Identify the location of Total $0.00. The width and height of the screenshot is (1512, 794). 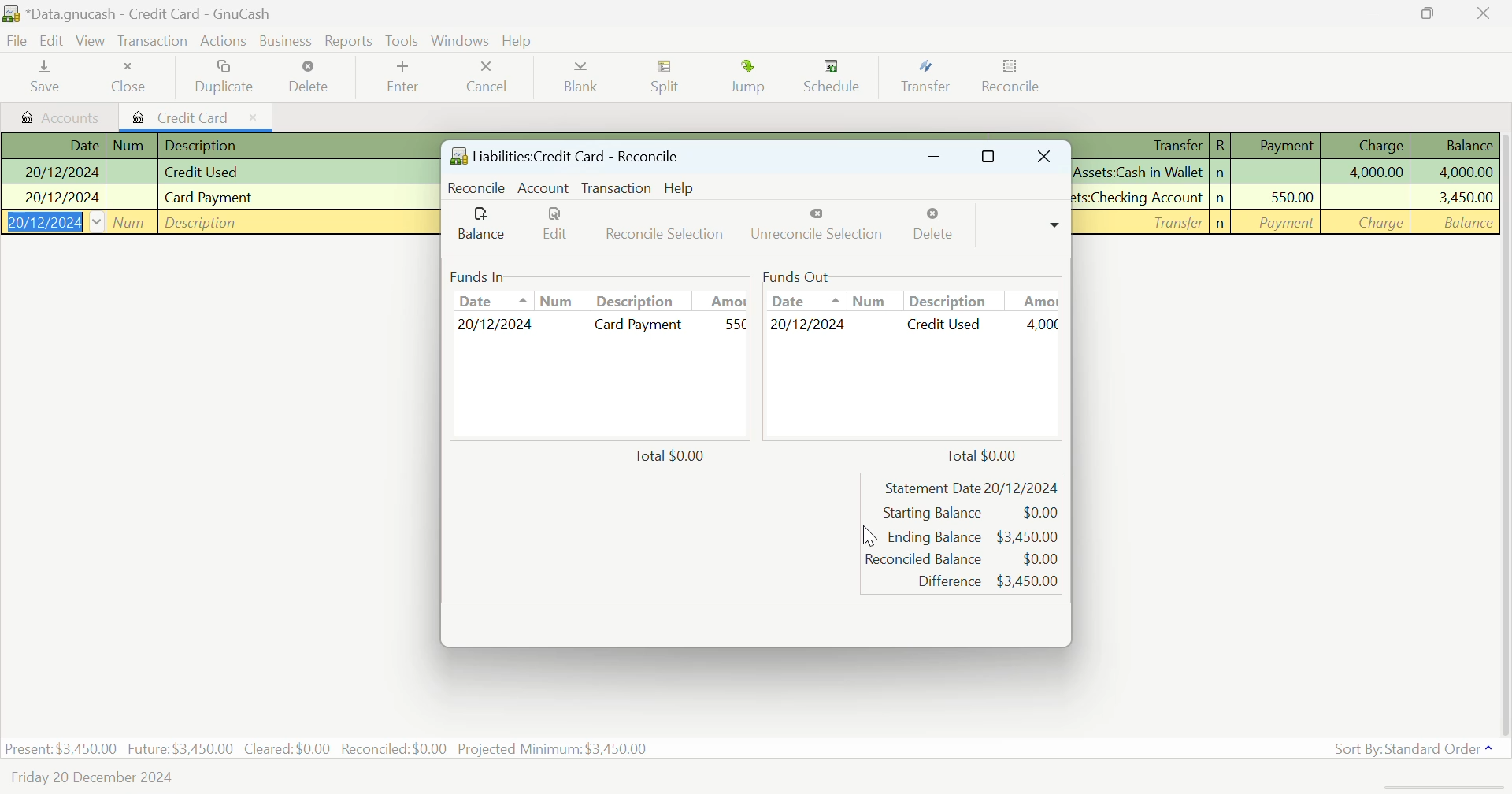
(981, 454).